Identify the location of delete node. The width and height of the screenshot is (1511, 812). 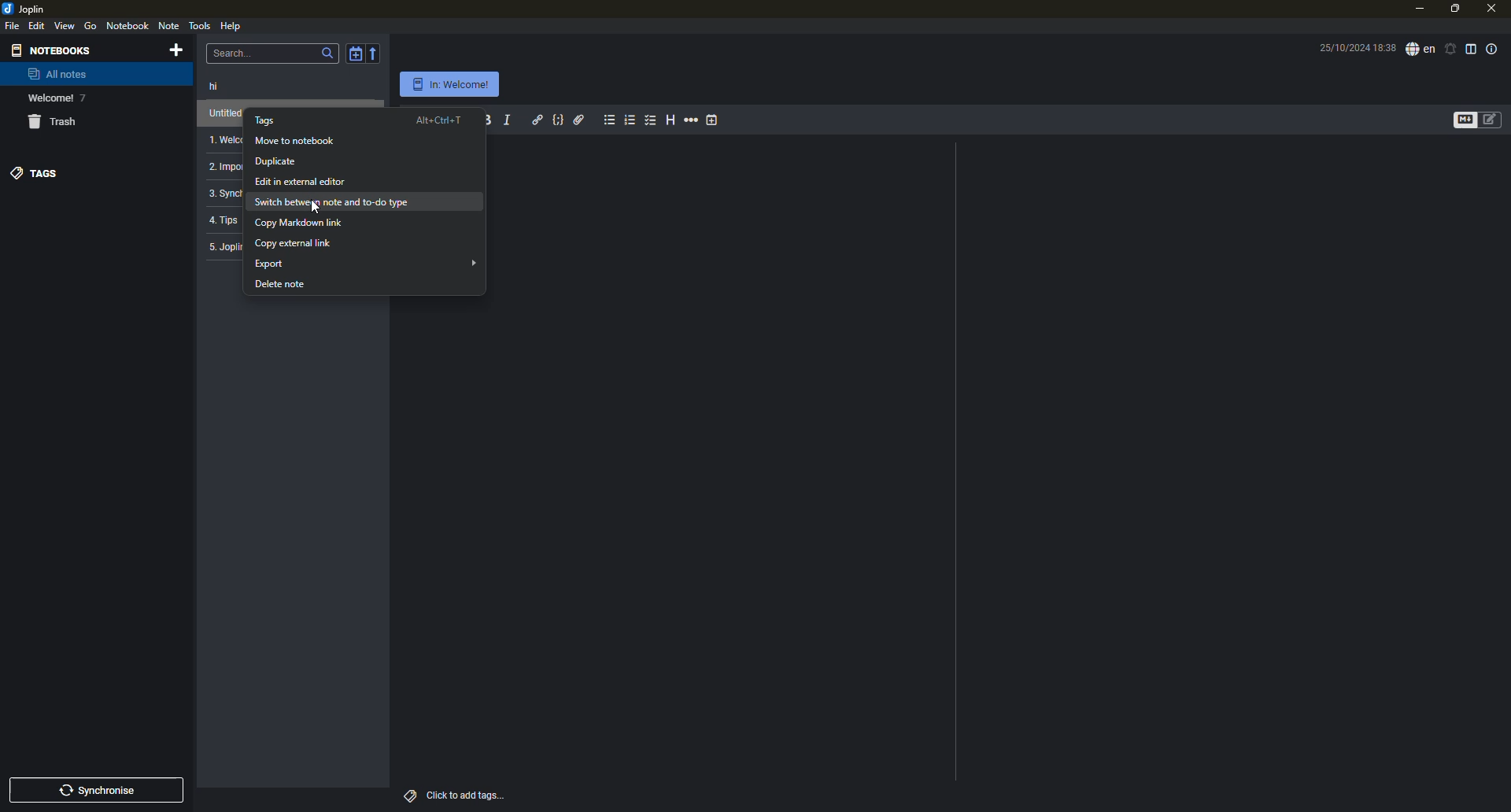
(279, 286).